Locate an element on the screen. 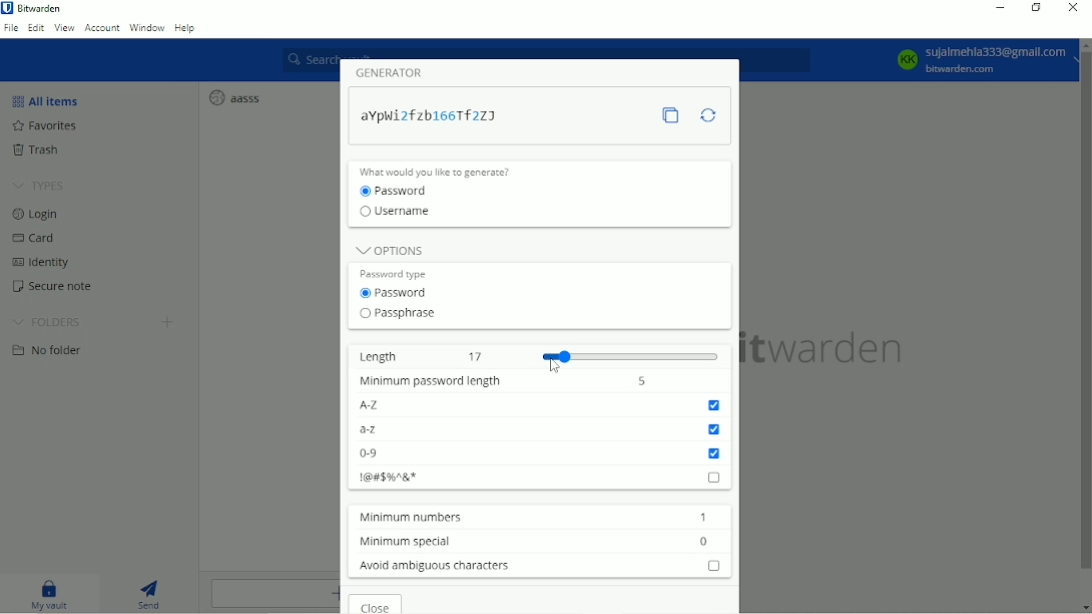 This screenshot has width=1092, height=614. Password is located at coordinates (400, 191).